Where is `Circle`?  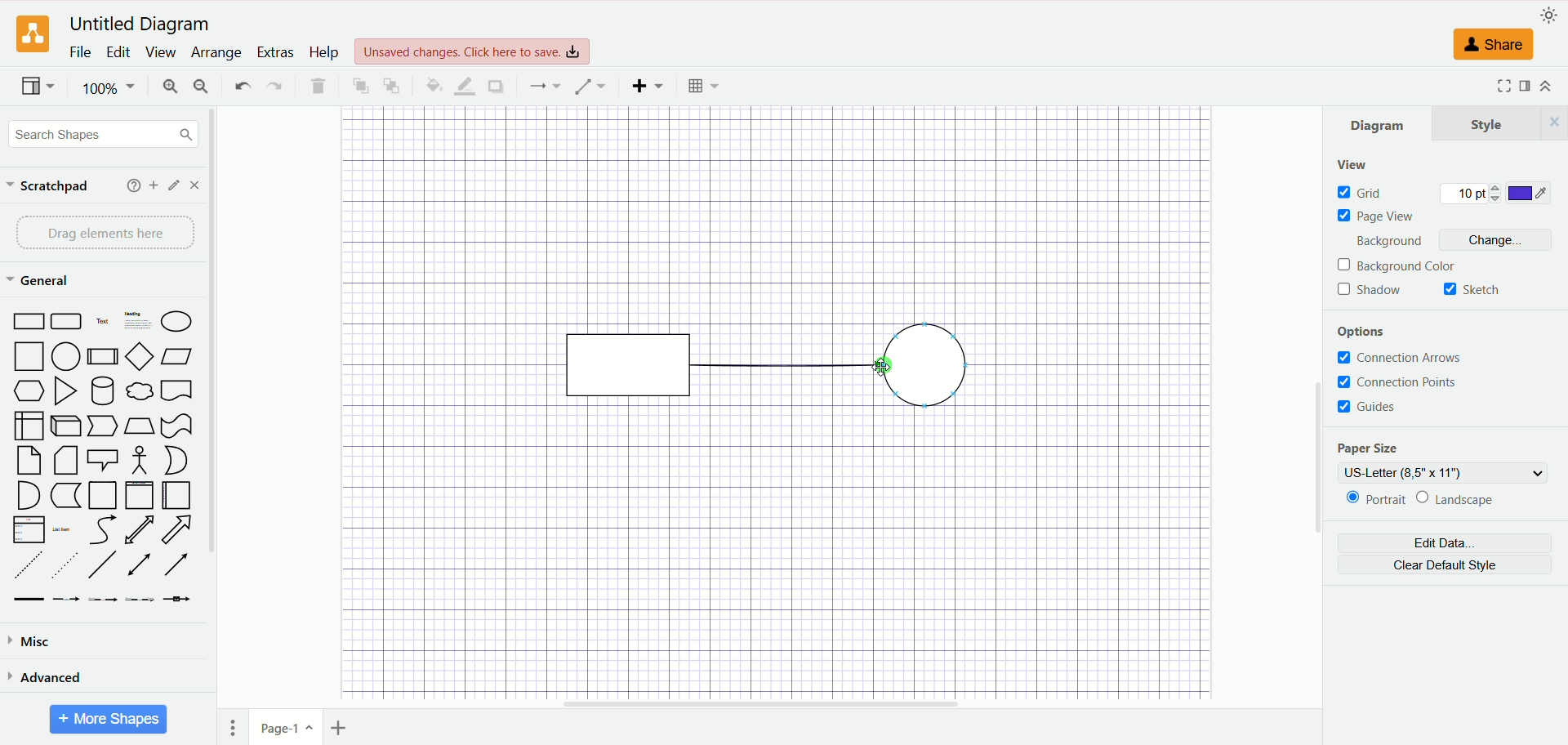
Circle is located at coordinates (69, 356).